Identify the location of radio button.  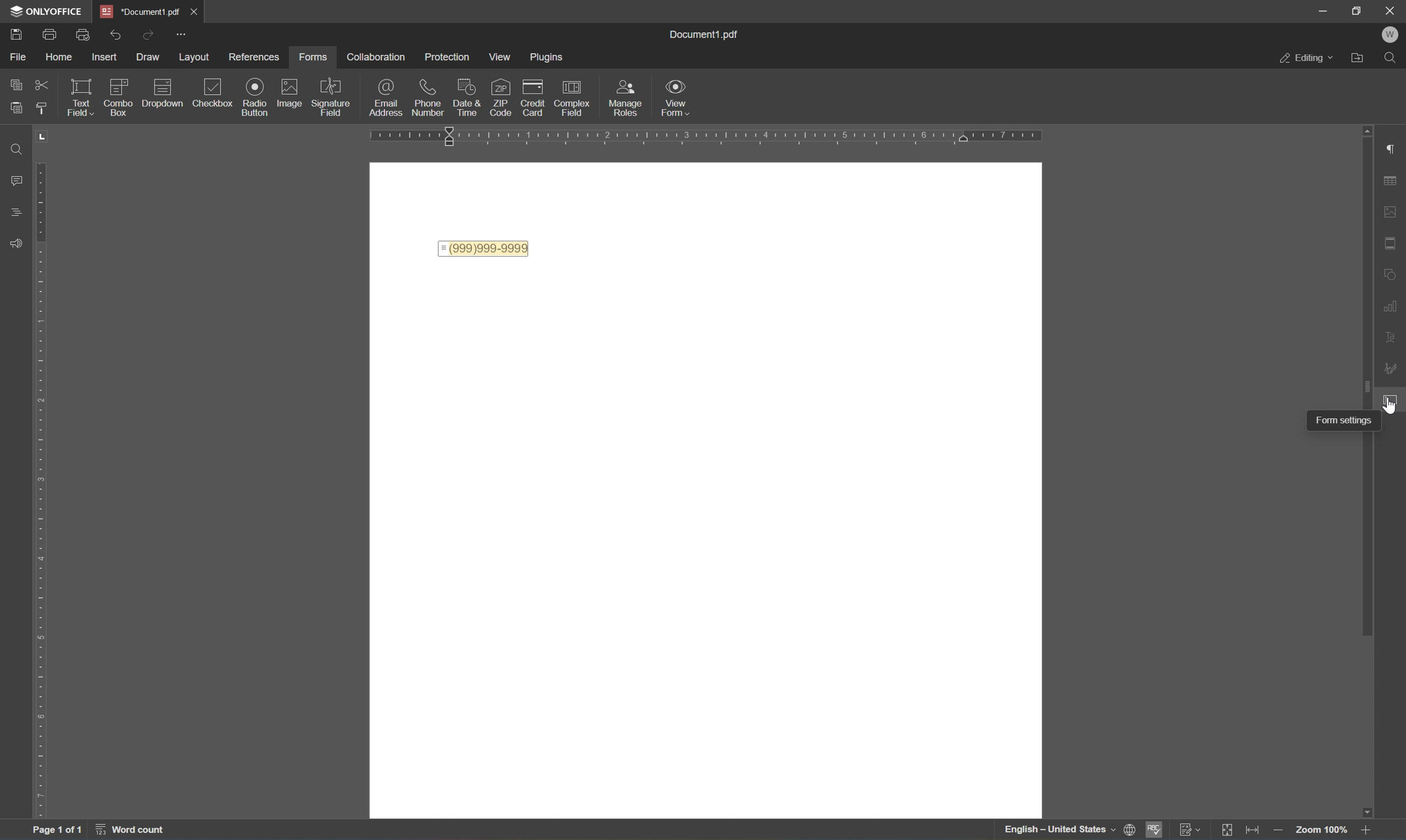
(255, 96).